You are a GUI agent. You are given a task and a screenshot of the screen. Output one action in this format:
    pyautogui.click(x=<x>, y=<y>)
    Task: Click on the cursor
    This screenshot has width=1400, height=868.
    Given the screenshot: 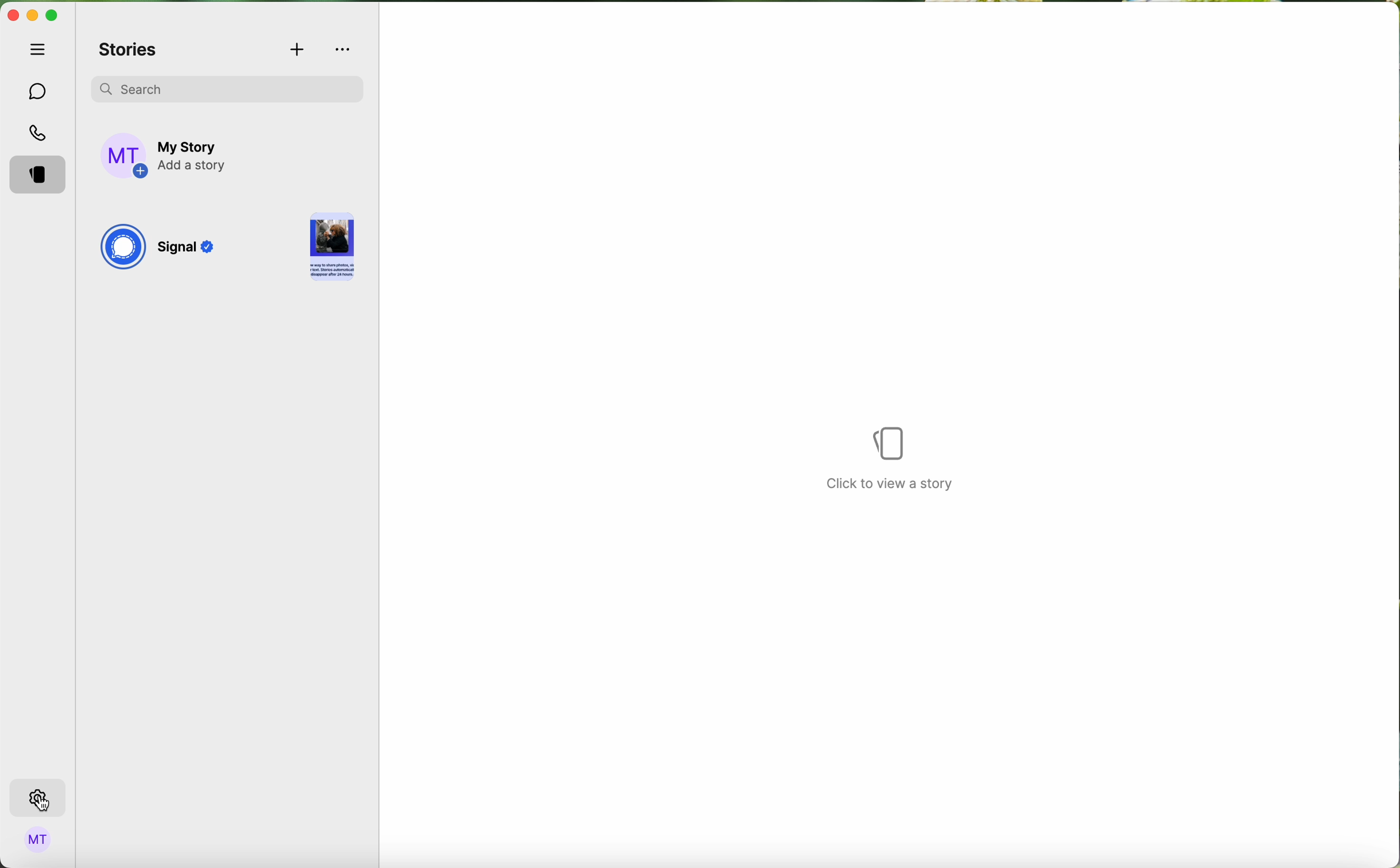 What is the action you would take?
    pyautogui.click(x=45, y=804)
    